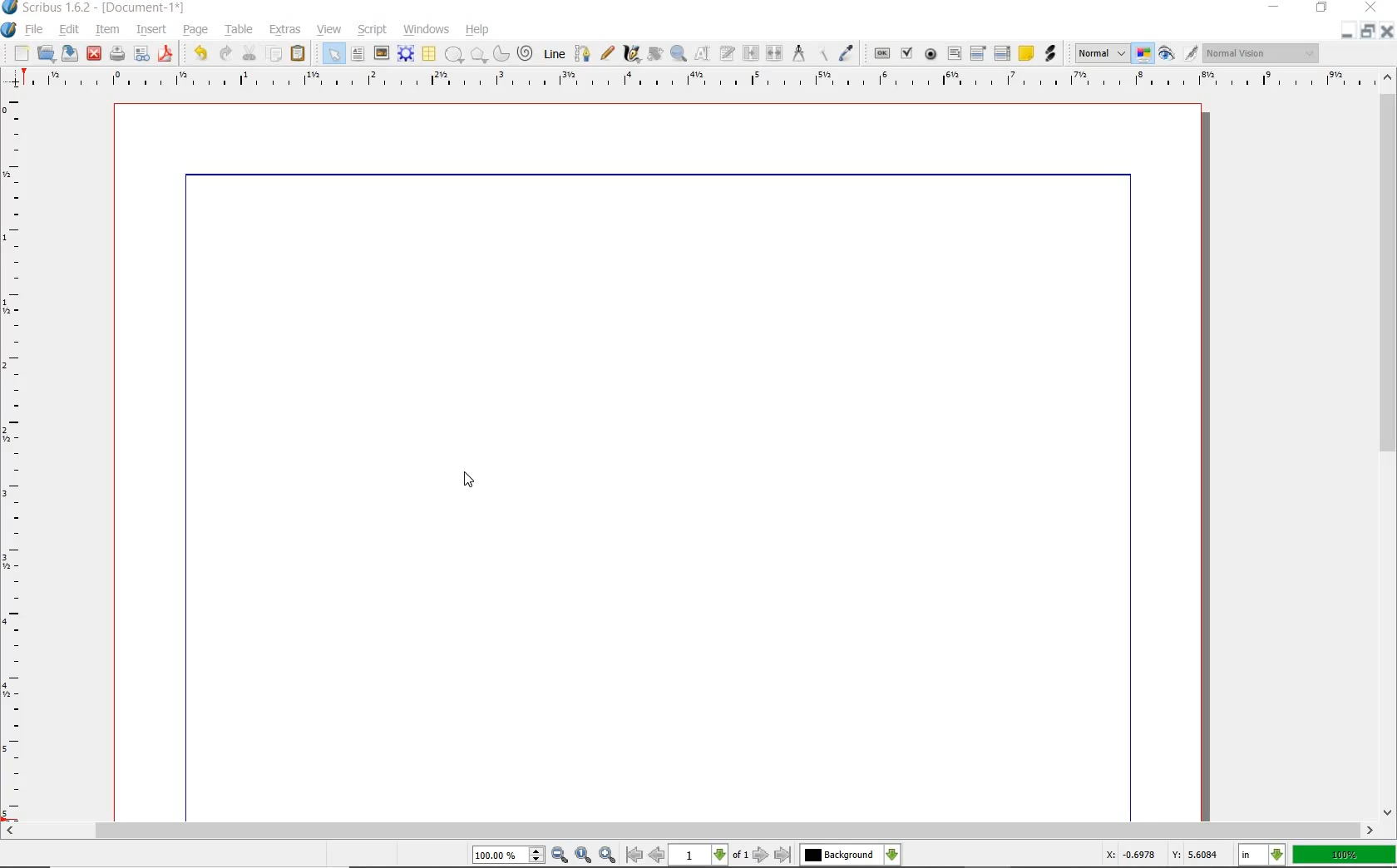 The height and width of the screenshot is (868, 1397). What do you see at coordinates (117, 55) in the screenshot?
I see `PRINT` at bounding box center [117, 55].